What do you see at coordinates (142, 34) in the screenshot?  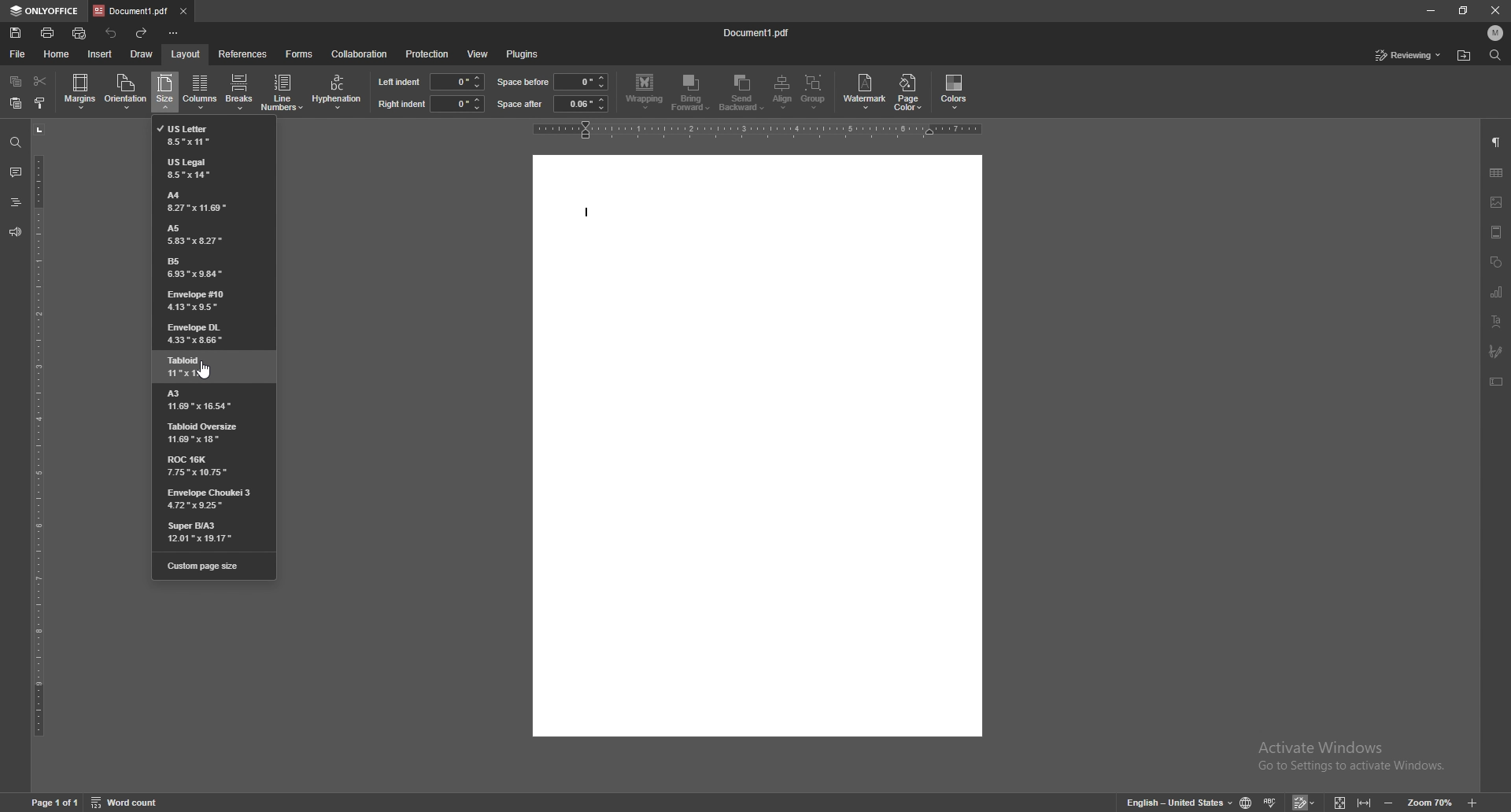 I see `redo` at bounding box center [142, 34].